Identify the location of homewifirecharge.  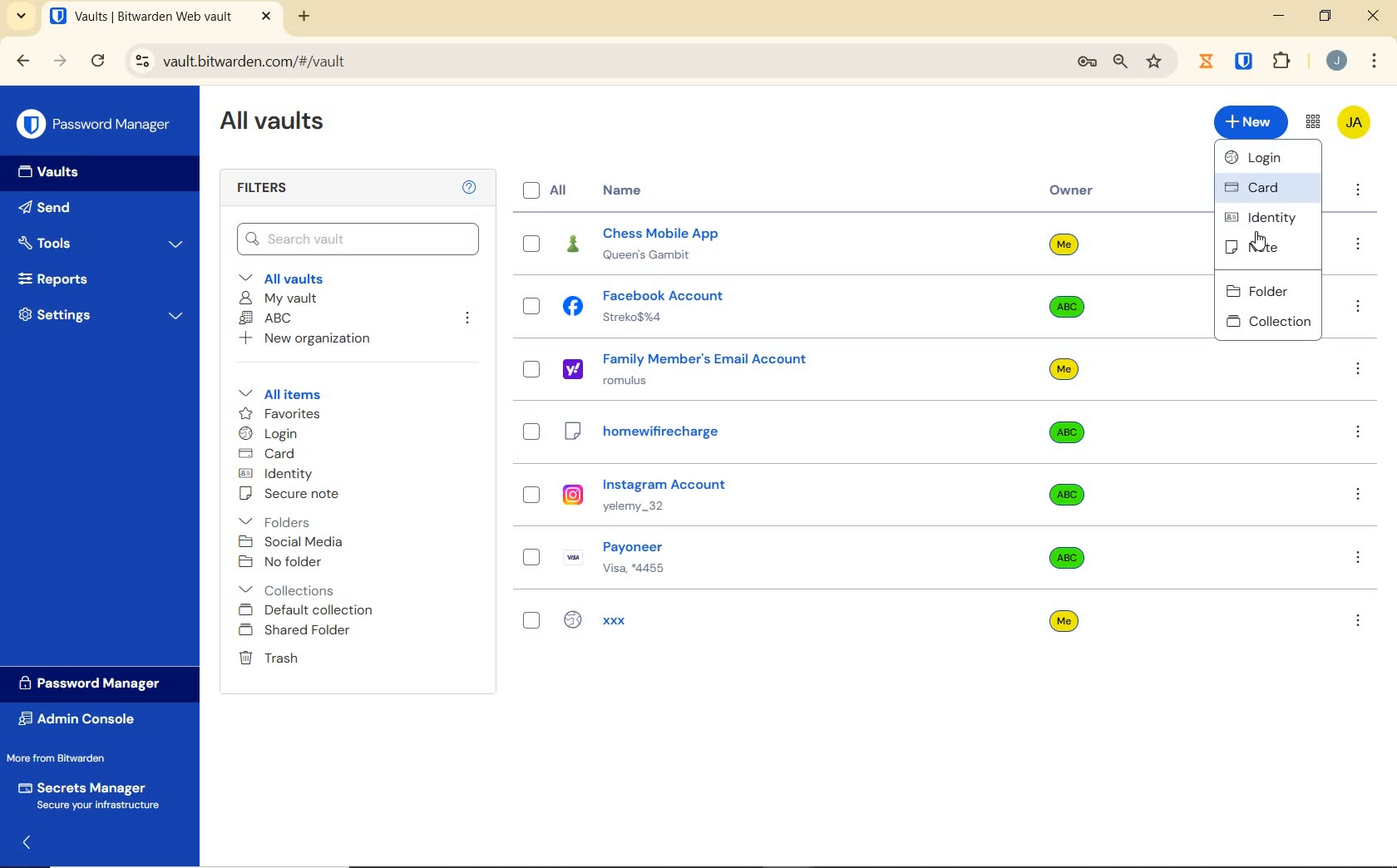
(691, 433).